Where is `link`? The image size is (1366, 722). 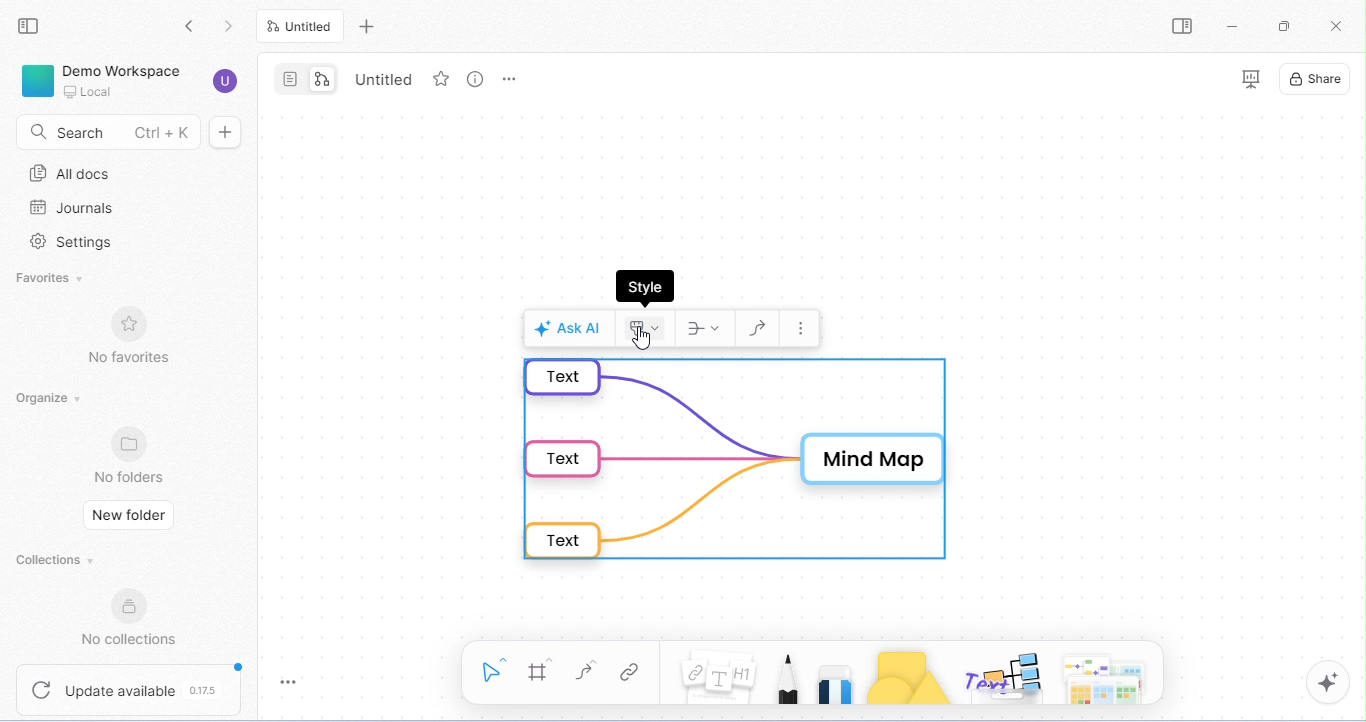
link is located at coordinates (627, 674).